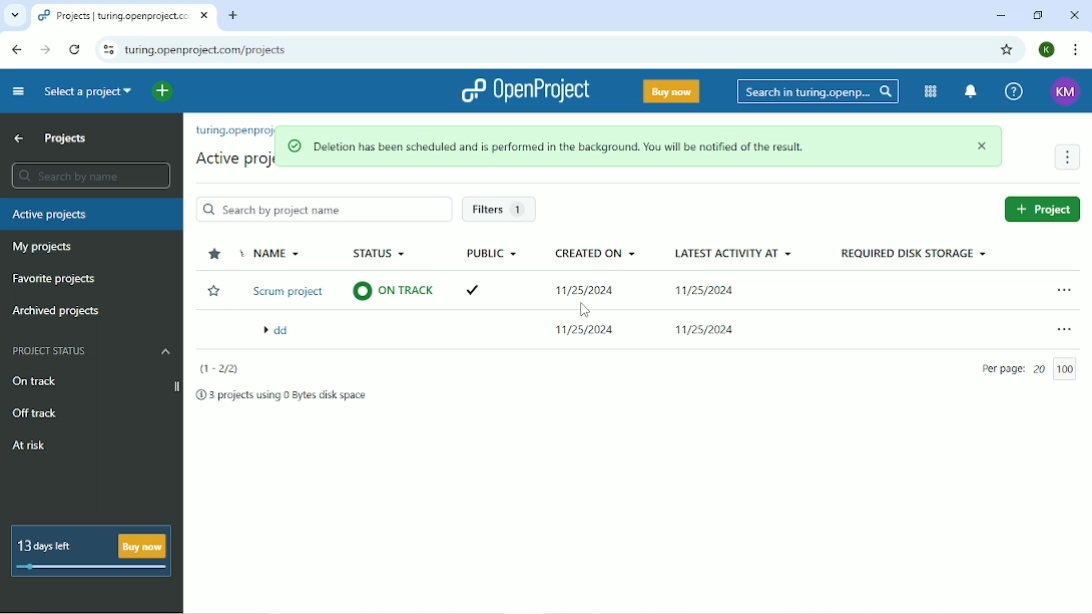  Describe the element at coordinates (912, 255) in the screenshot. I see `Required disk storage` at that location.